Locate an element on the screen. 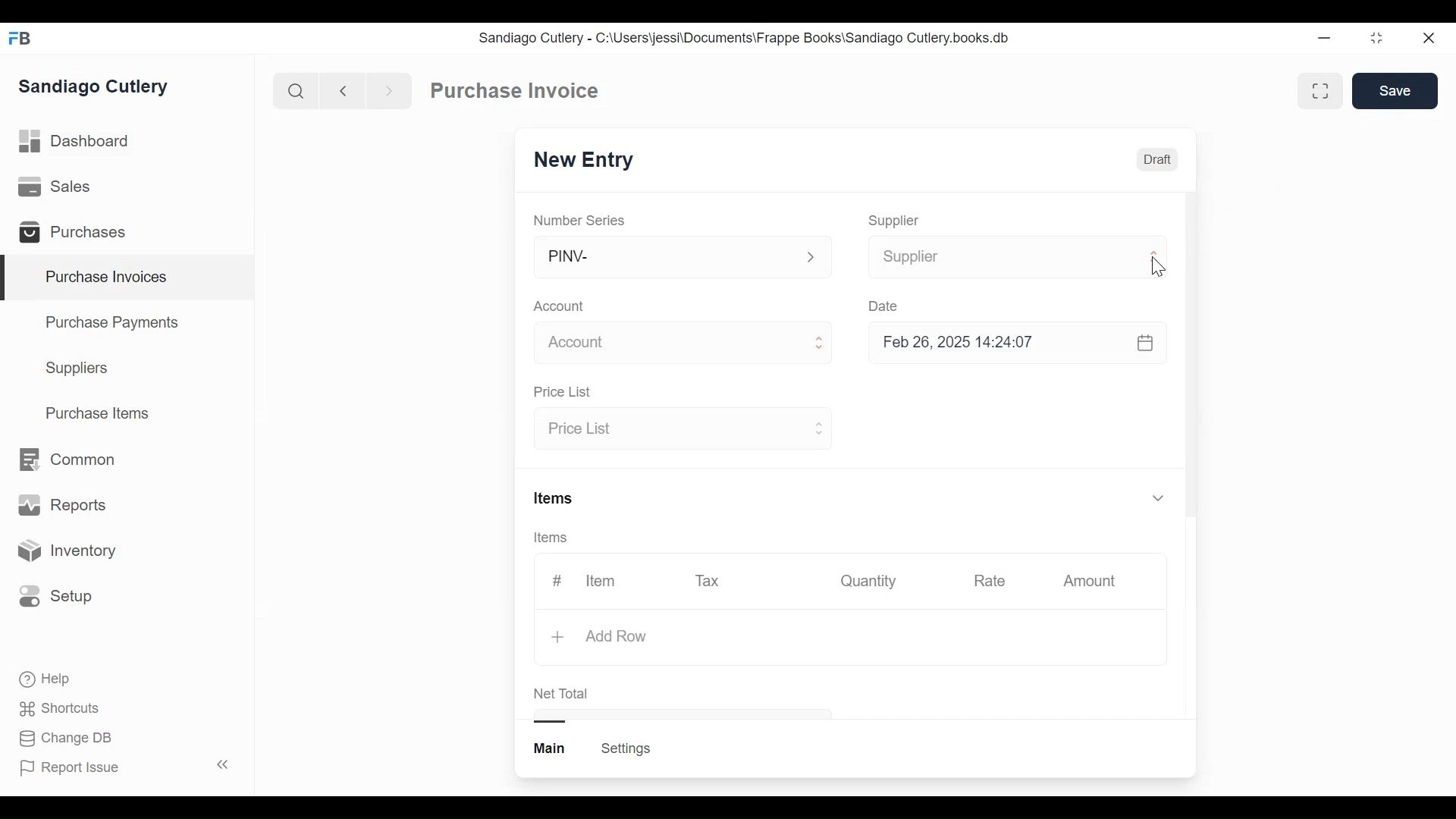 This screenshot has height=819, width=1456. Date is located at coordinates (884, 306).